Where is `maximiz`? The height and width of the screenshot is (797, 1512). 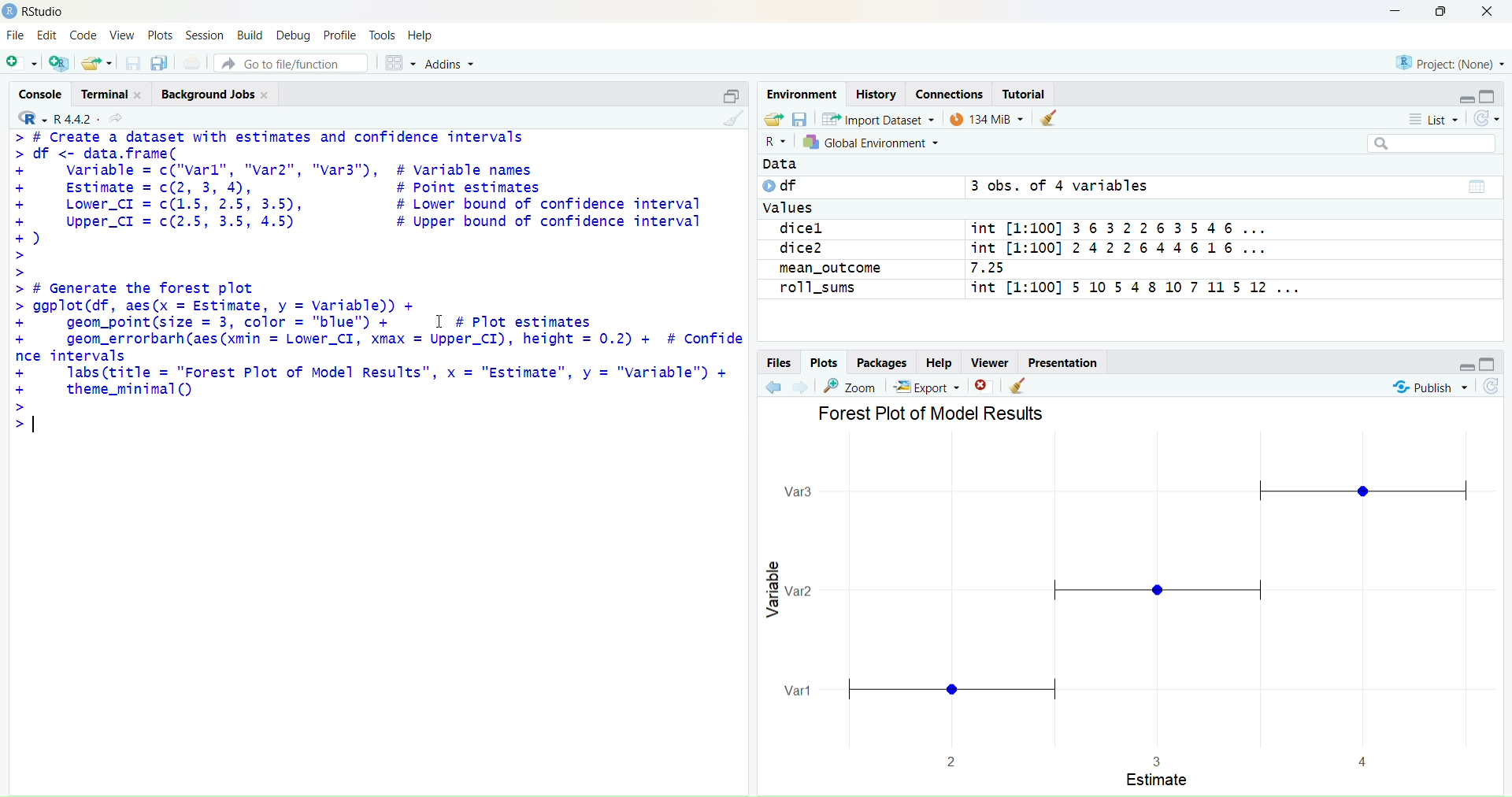
maximiz is located at coordinates (1440, 12).